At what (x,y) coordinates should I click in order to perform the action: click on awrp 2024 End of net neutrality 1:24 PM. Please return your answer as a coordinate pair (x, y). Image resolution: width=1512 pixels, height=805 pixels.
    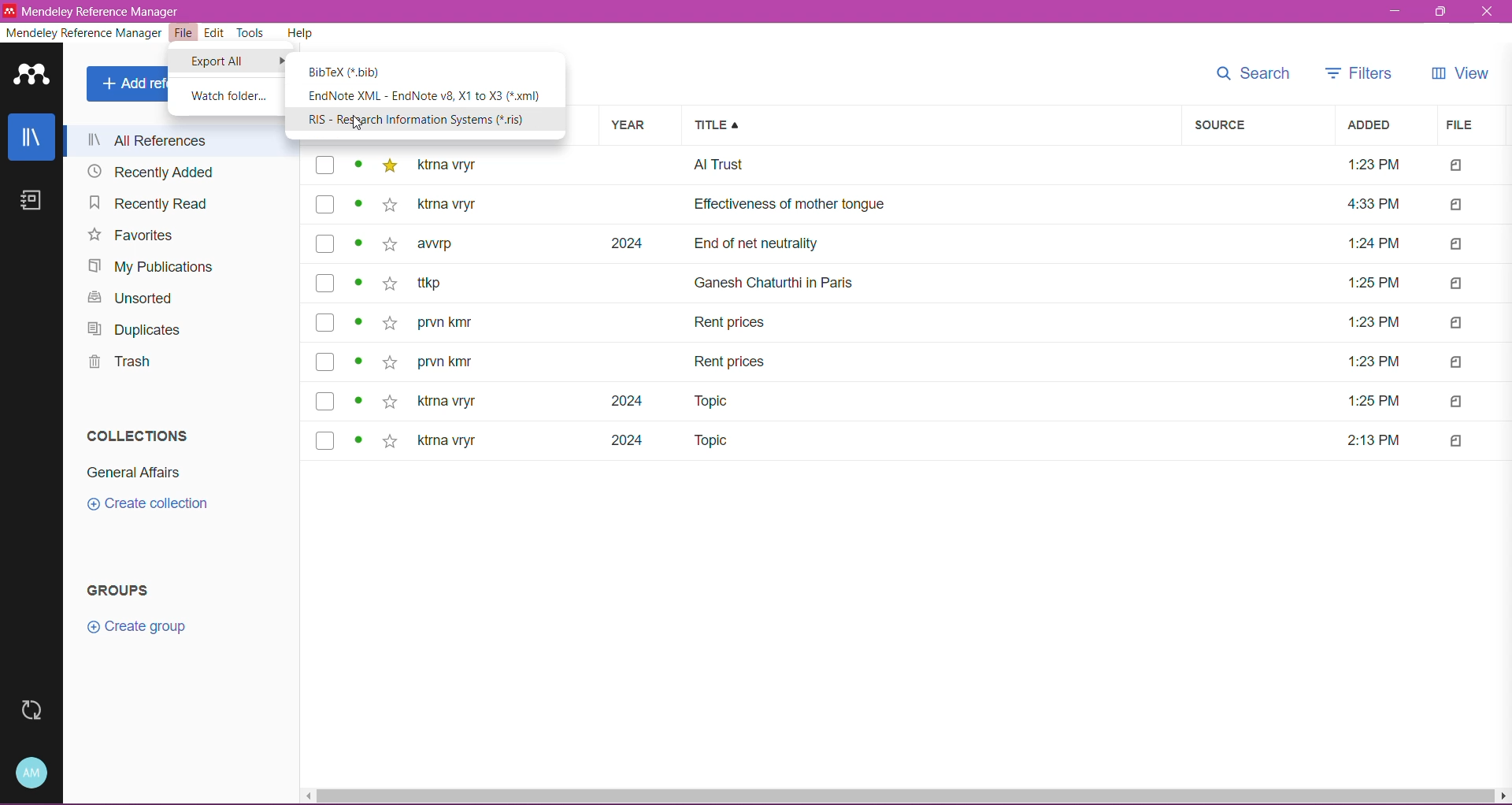
    Looking at the image, I should click on (913, 243).